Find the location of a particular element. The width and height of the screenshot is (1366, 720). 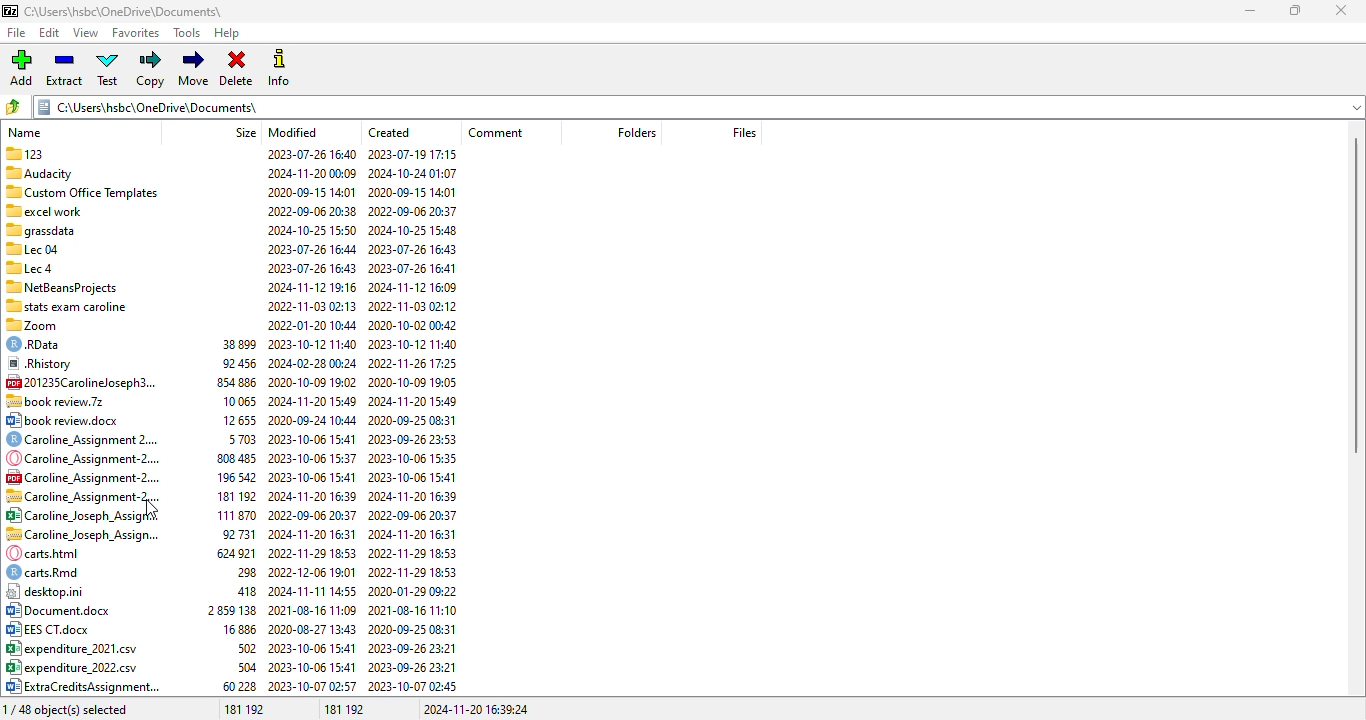

move is located at coordinates (195, 68).